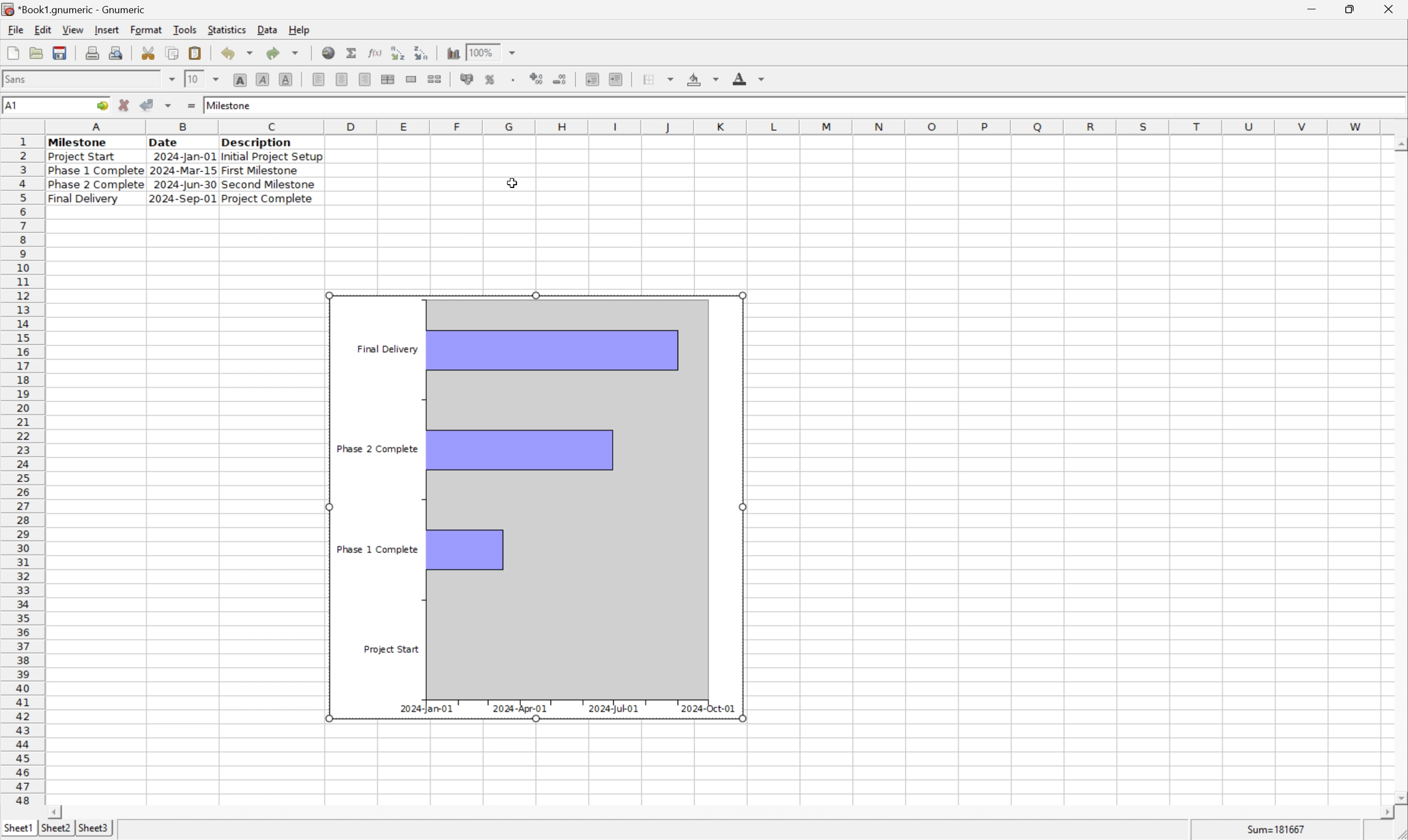  Describe the element at coordinates (195, 53) in the screenshot. I see `paste` at that location.